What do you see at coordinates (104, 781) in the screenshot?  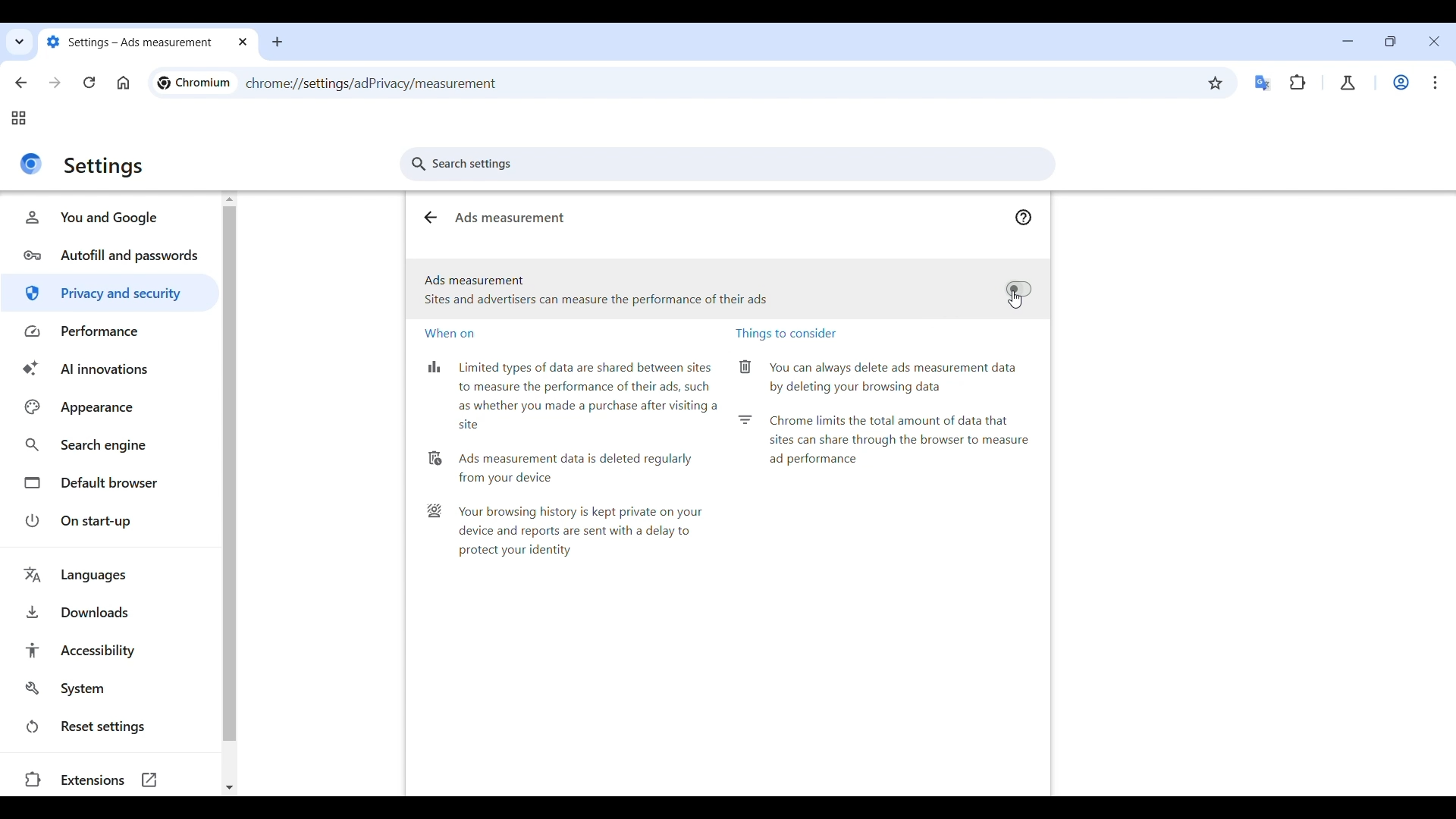 I see `Extensions` at bounding box center [104, 781].